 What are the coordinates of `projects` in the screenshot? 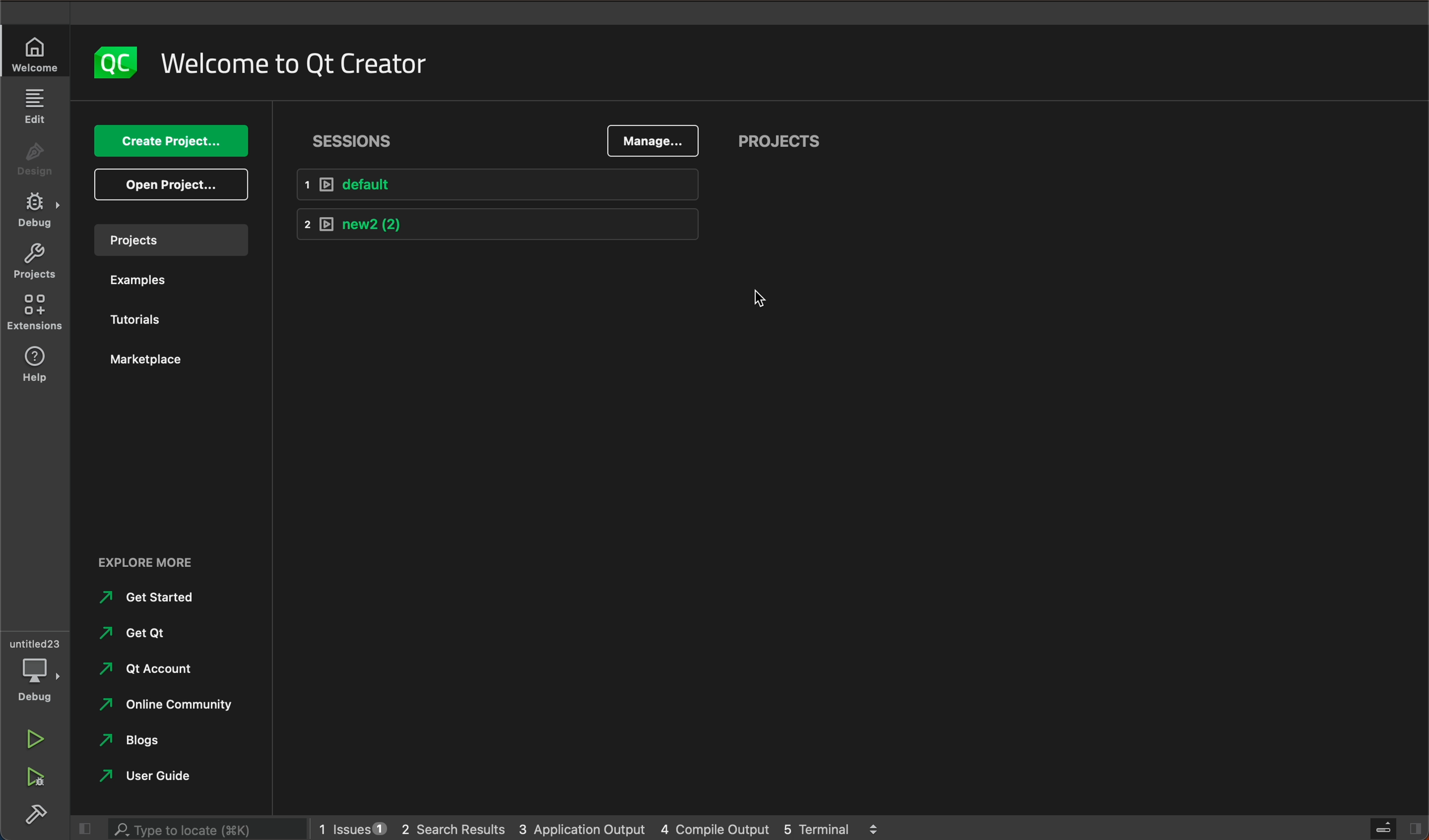 It's located at (35, 262).